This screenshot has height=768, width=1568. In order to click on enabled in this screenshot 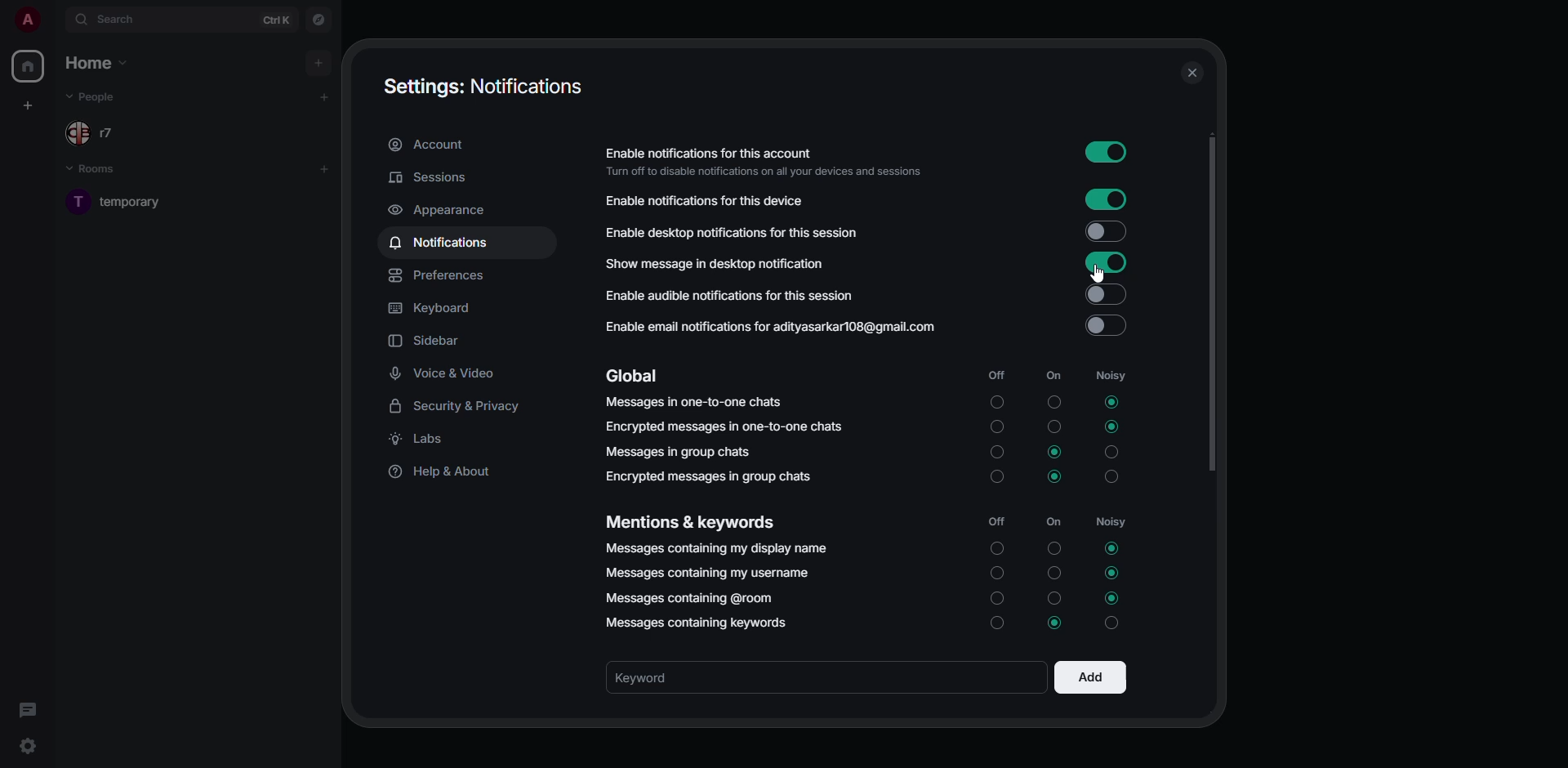, I will do `click(1106, 199)`.